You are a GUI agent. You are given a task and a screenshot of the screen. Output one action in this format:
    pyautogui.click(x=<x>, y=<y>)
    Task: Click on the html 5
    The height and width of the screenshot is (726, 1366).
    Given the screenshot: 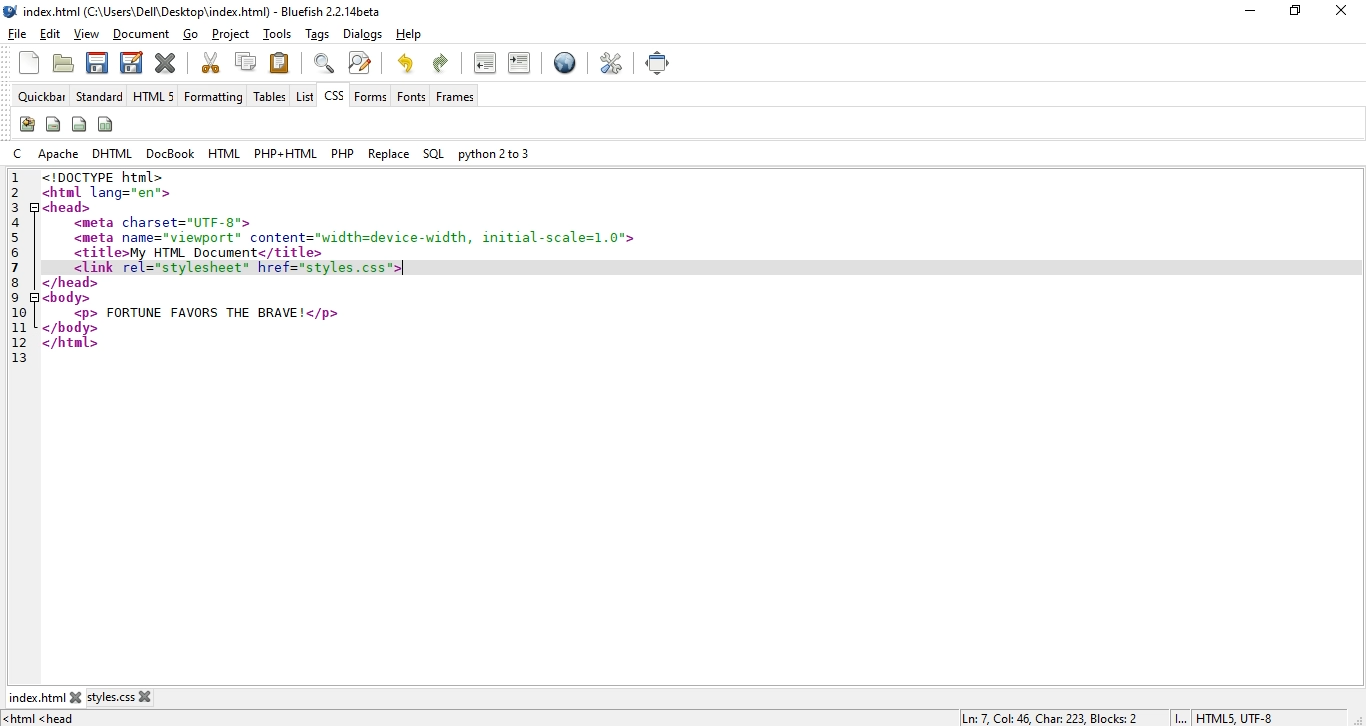 What is the action you would take?
    pyautogui.click(x=154, y=97)
    